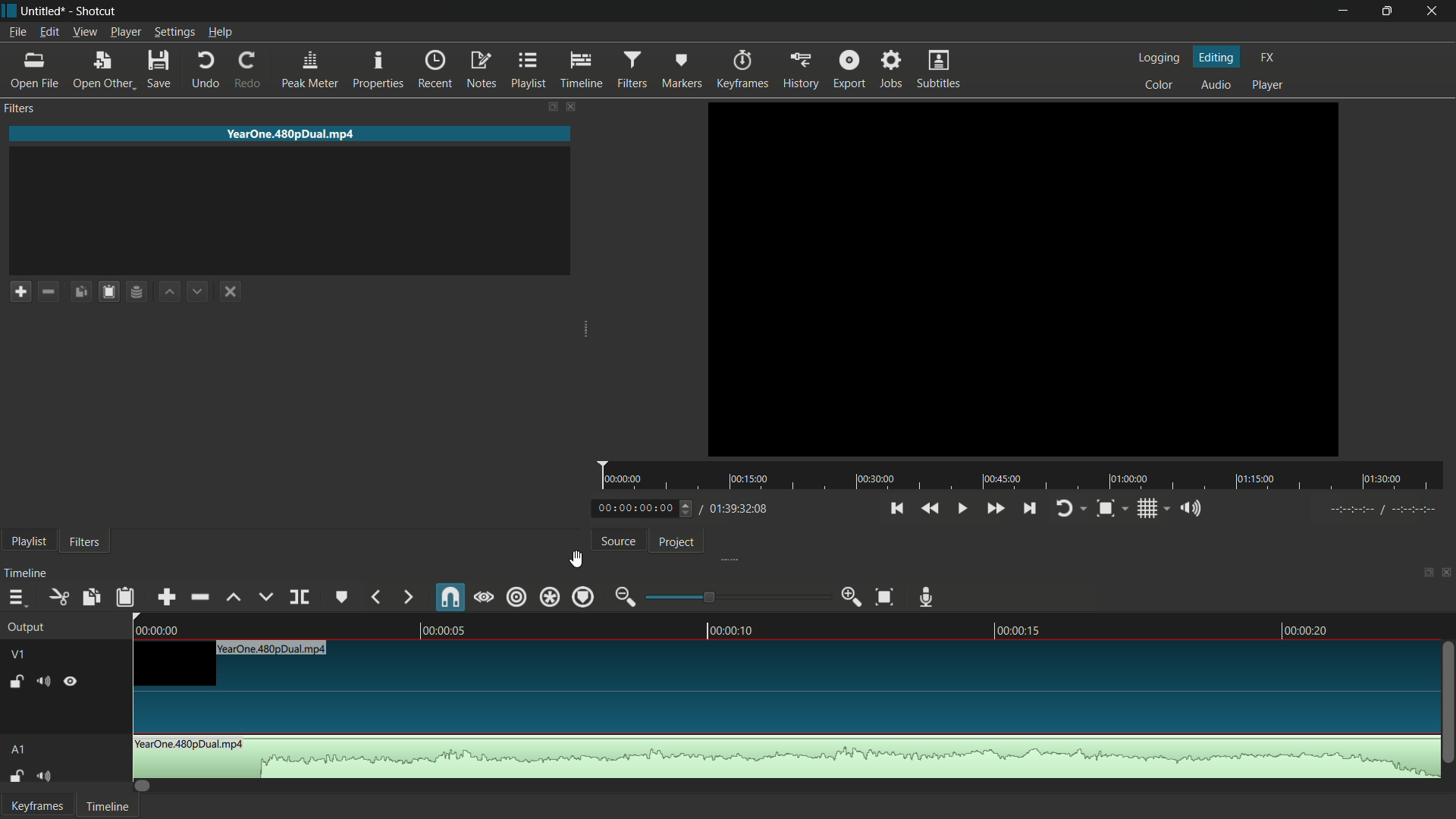 The width and height of the screenshot is (1456, 819). Describe the element at coordinates (92, 595) in the screenshot. I see `copy` at that location.